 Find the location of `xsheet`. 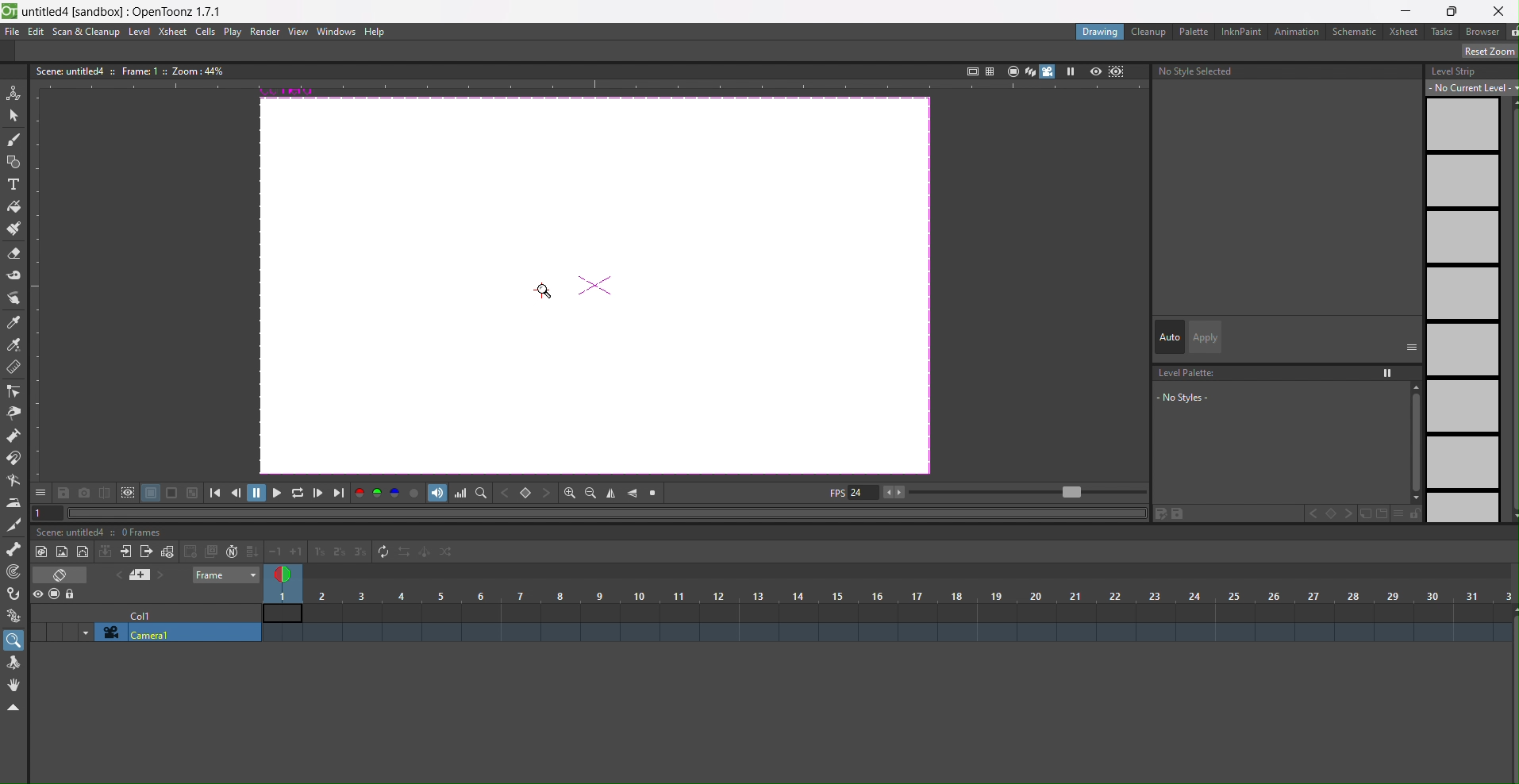

xsheet is located at coordinates (1405, 32).